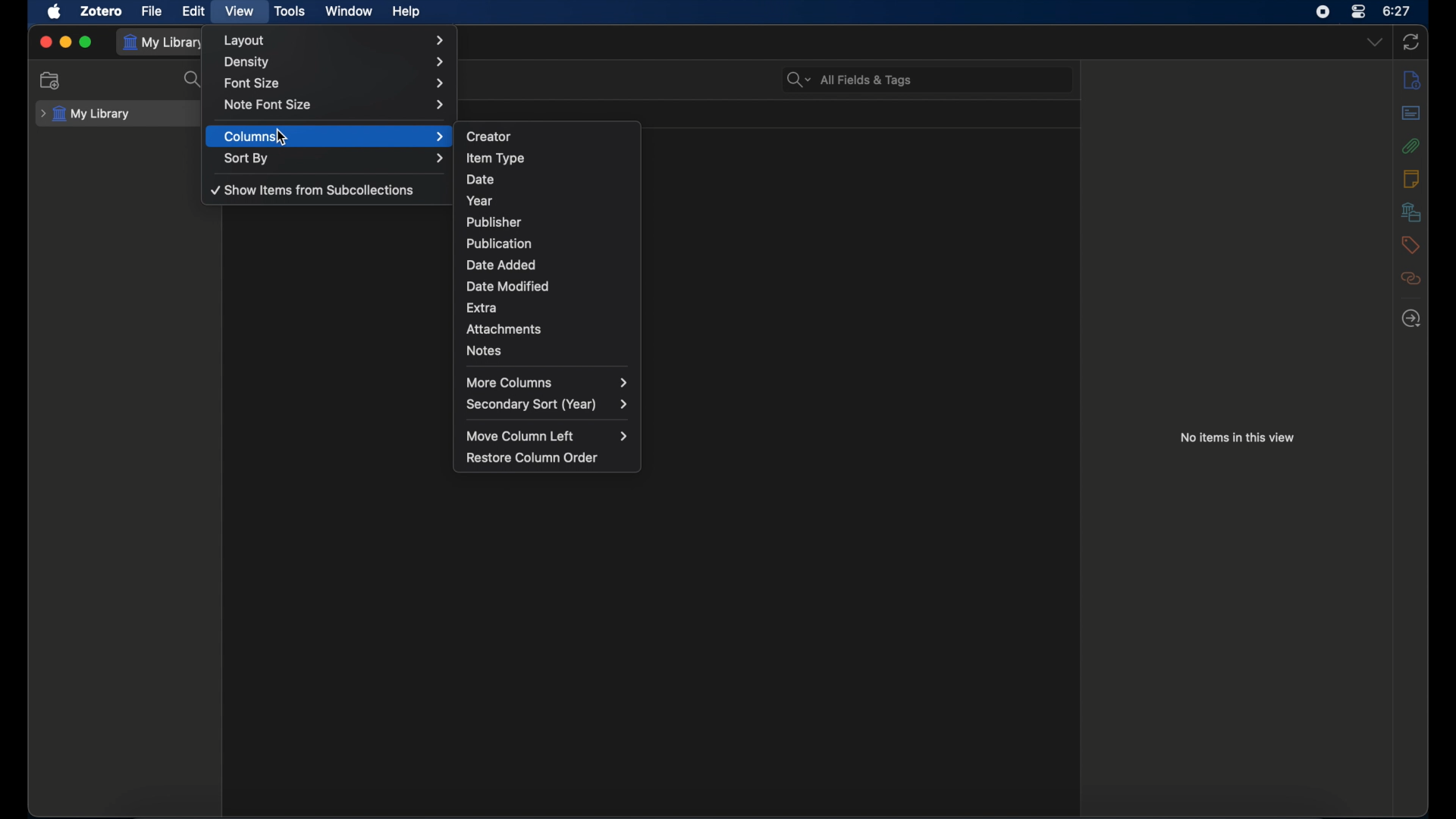 The width and height of the screenshot is (1456, 819). What do you see at coordinates (1375, 42) in the screenshot?
I see `dropdown` at bounding box center [1375, 42].